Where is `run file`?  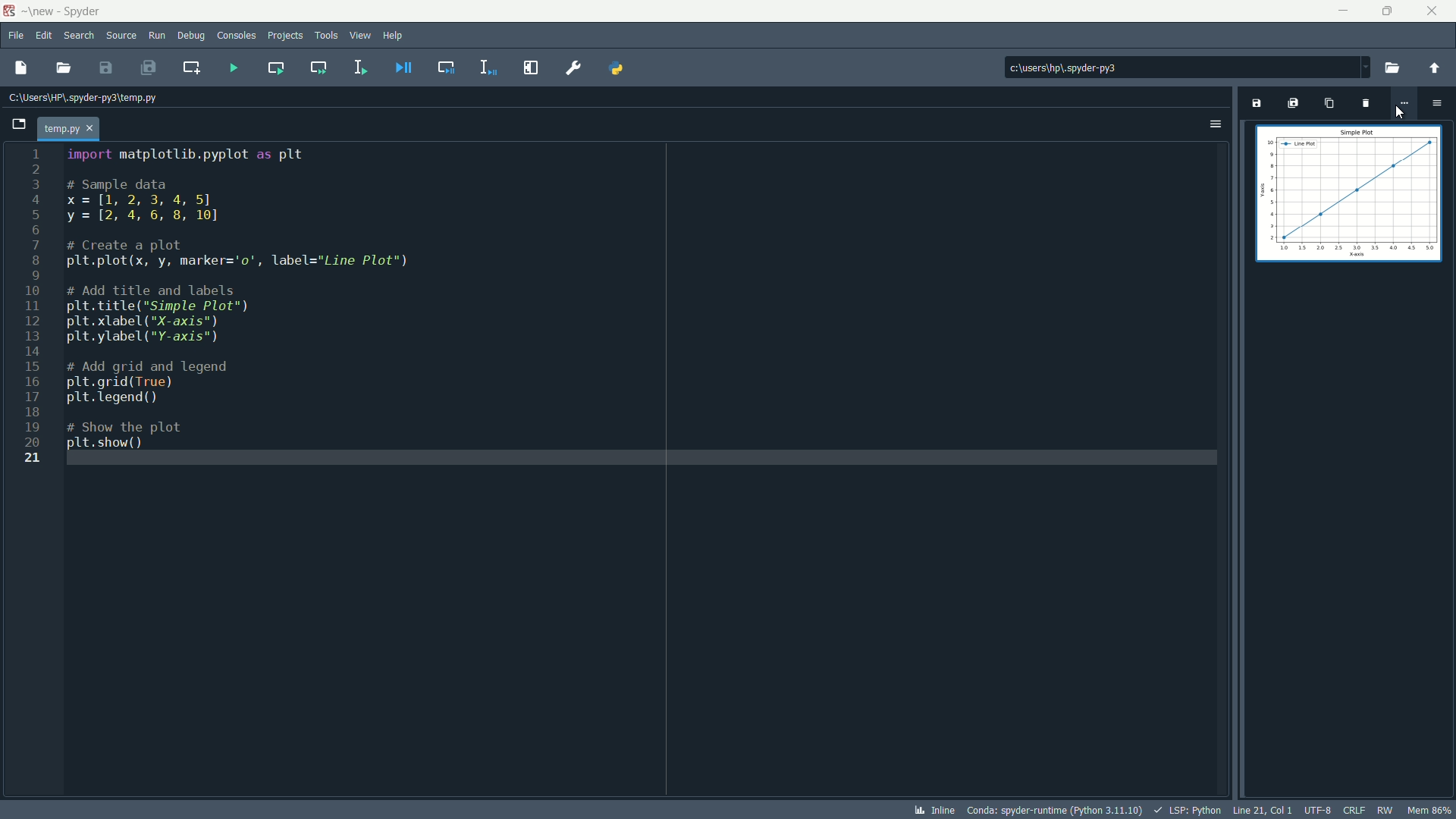
run file is located at coordinates (231, 67).